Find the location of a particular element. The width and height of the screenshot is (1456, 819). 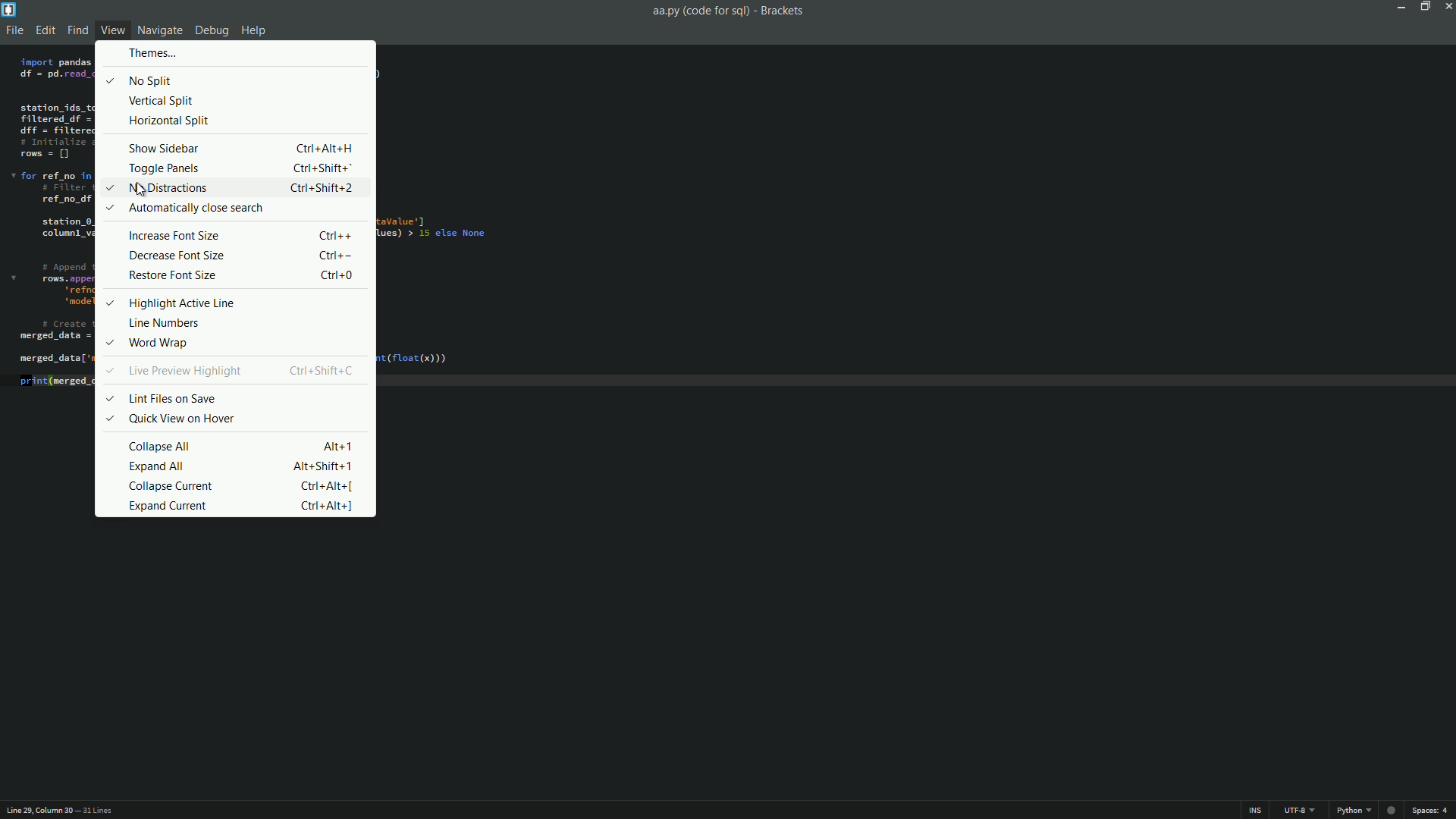

cursor is located at coordinates (140, 188).